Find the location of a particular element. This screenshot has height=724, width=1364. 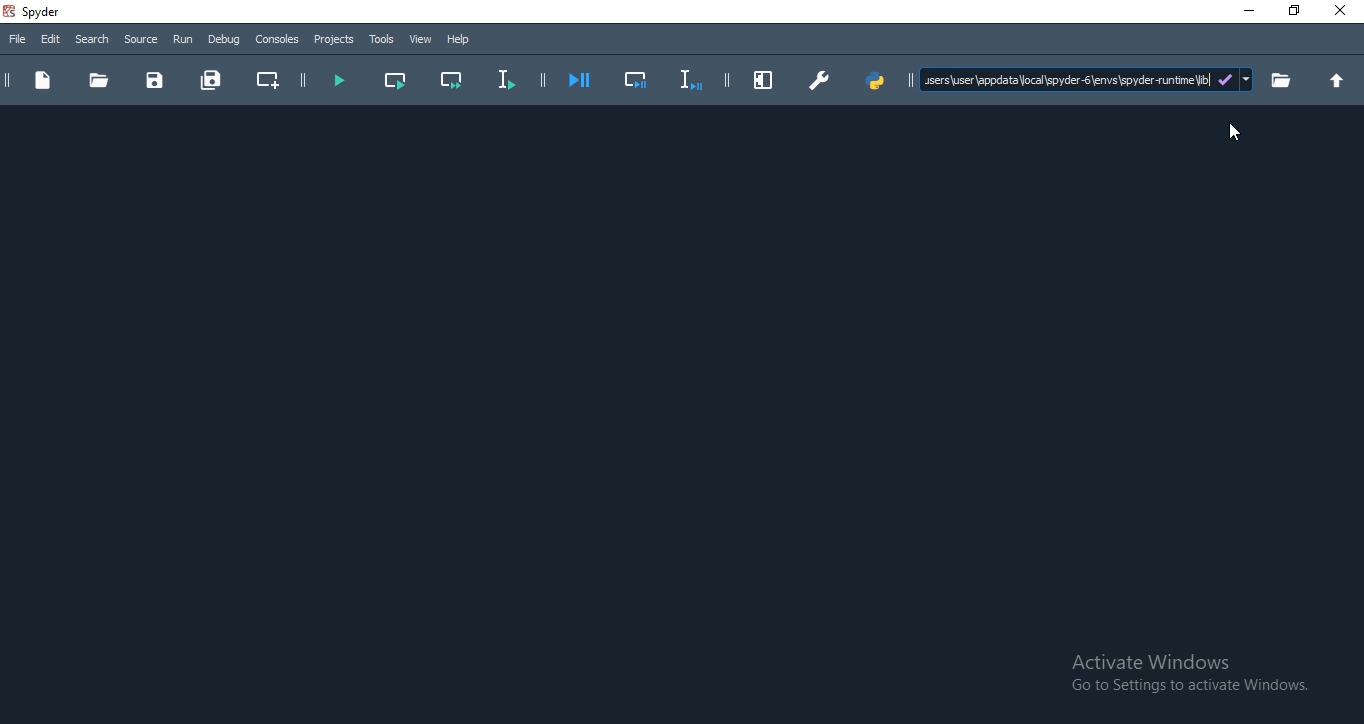

document is located at coordinates (42, 82).